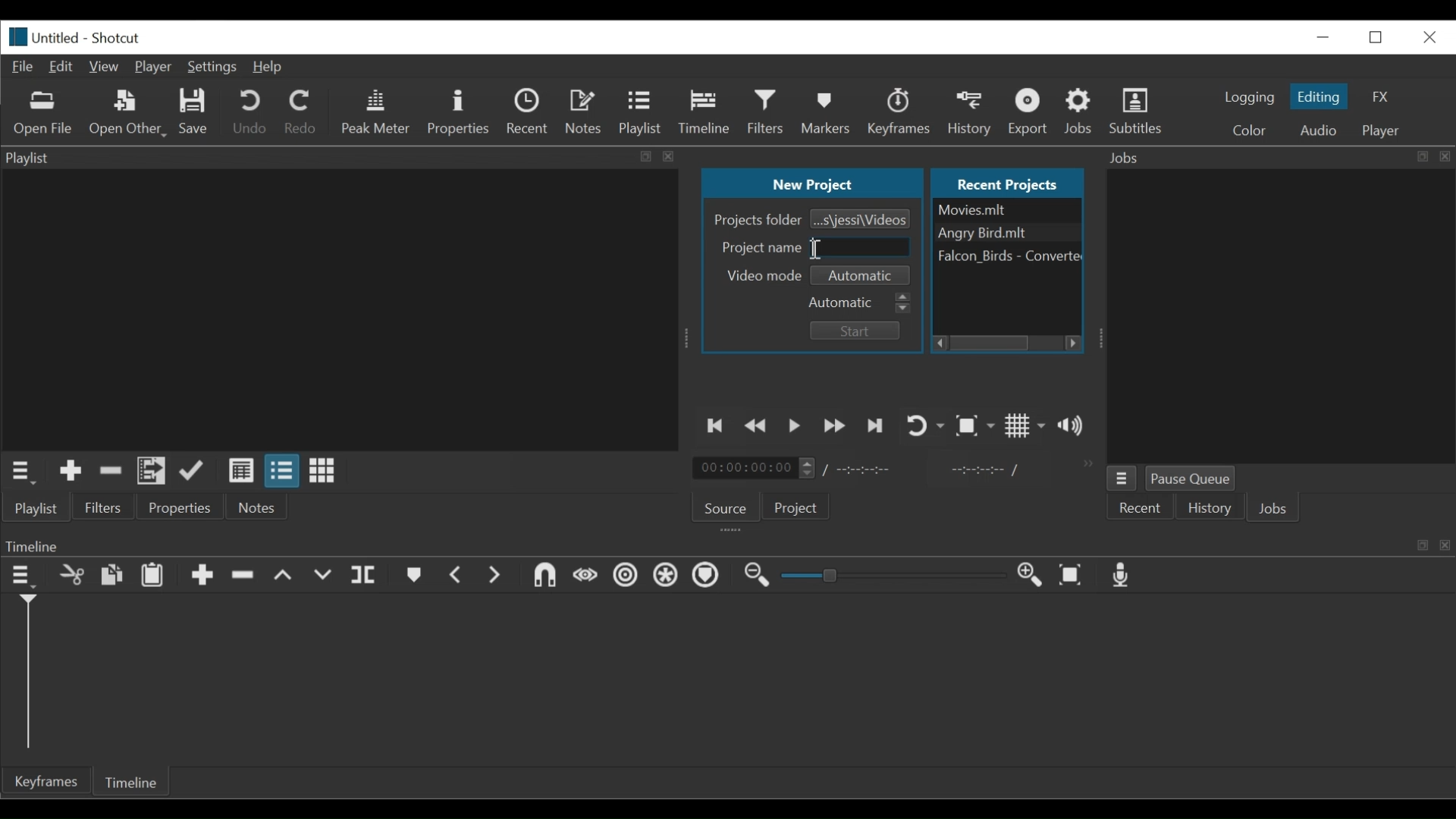  I want to click on Insertion cursor, so click(813, 252).